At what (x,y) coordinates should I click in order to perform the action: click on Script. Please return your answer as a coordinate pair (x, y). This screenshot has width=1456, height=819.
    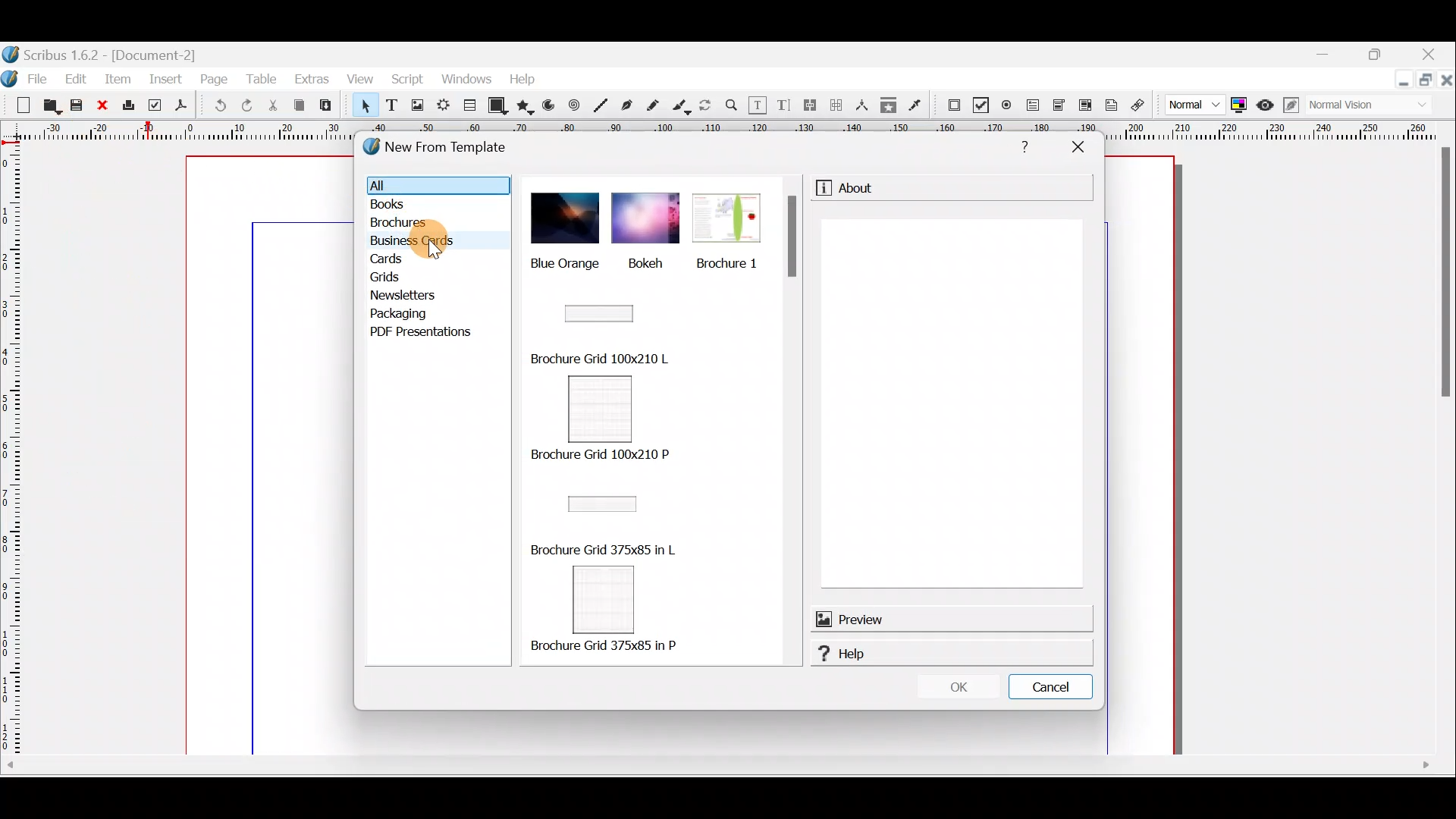
    Looking at the image, I should click on (409, 81).